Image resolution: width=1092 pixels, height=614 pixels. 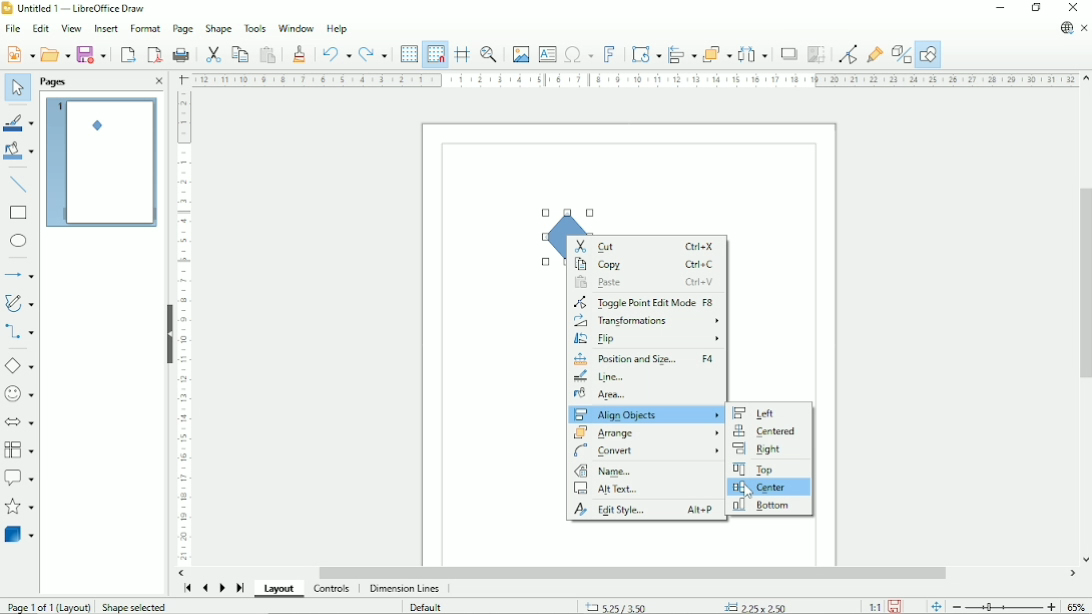 I want to click on Insert image, so click(x=520, y=54).